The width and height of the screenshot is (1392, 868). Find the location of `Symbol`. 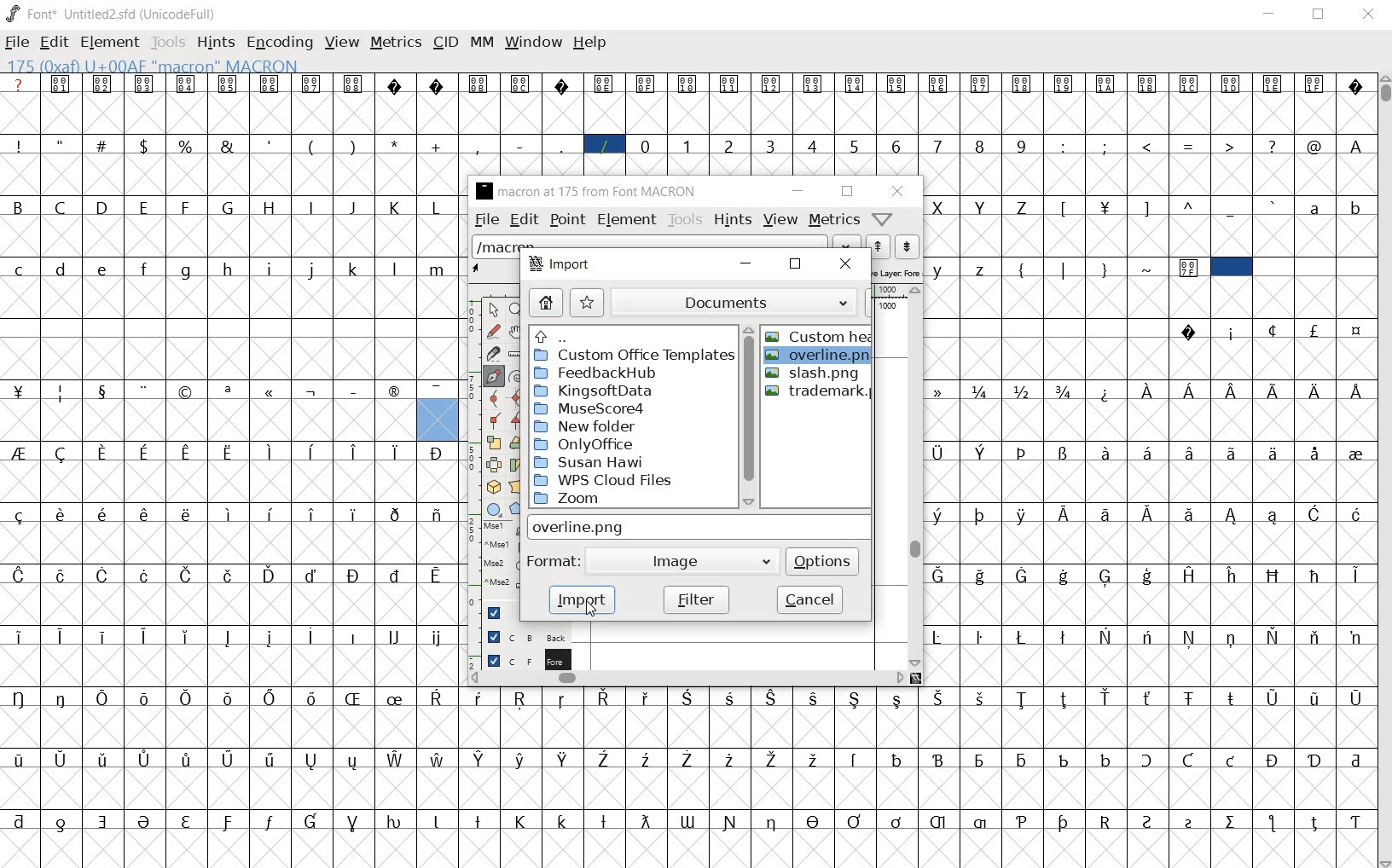

Symbol is located at coordinates (1314, 822).